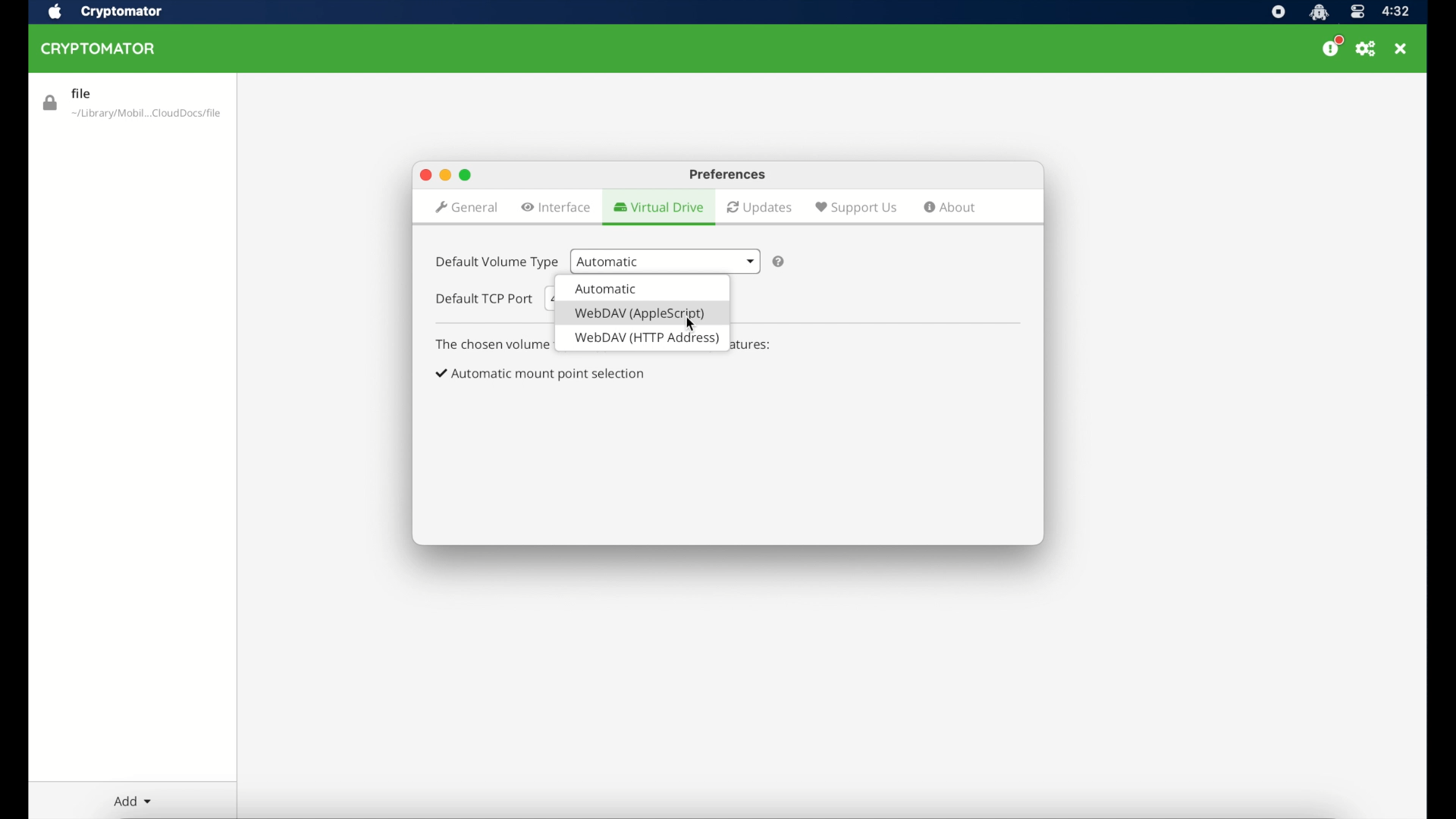  Describe the element at coordinates (493, 344) in the screenshot. I see `info` at that location.